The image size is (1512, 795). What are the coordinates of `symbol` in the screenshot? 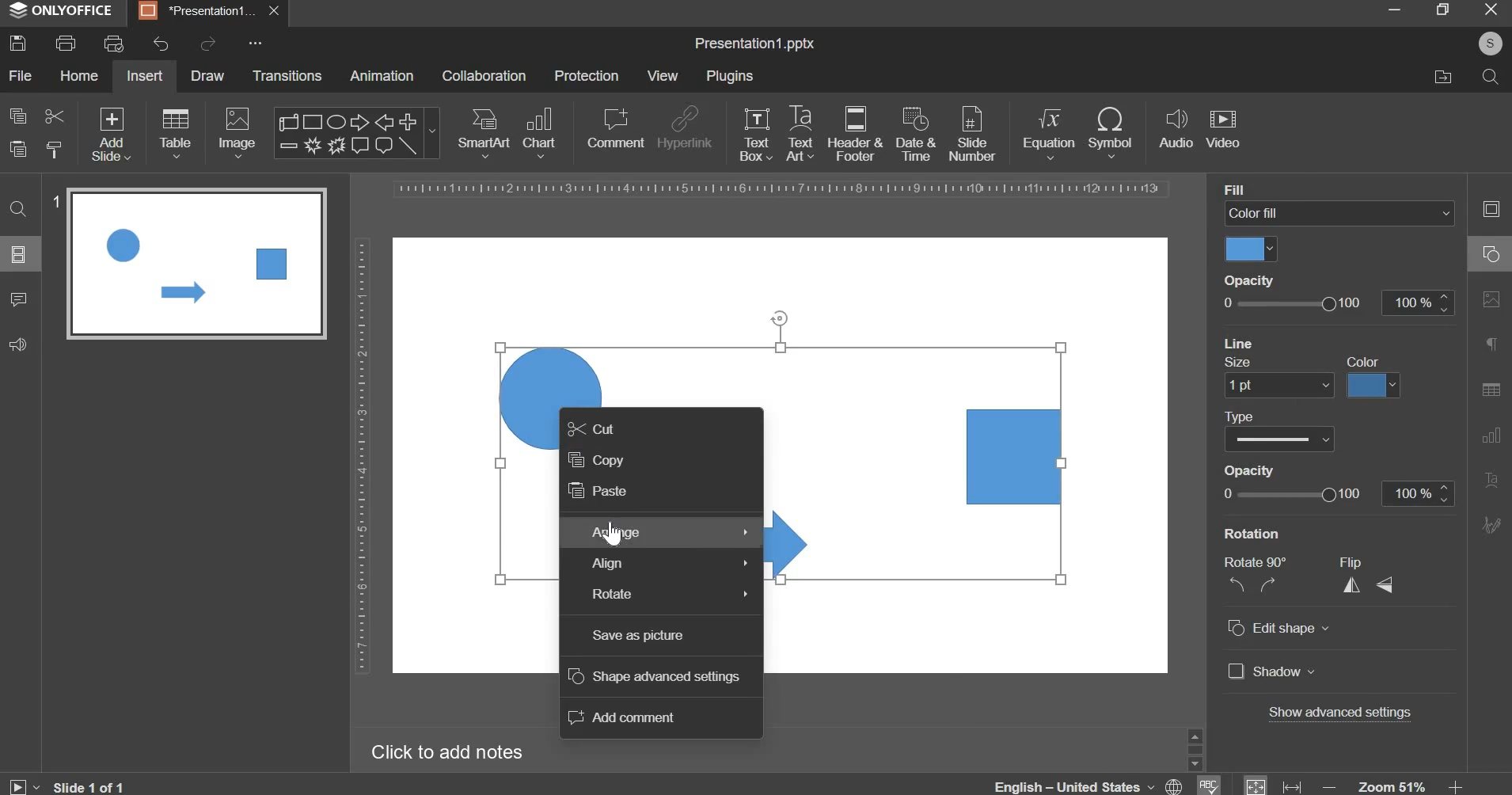 It's located at (1110, 131).